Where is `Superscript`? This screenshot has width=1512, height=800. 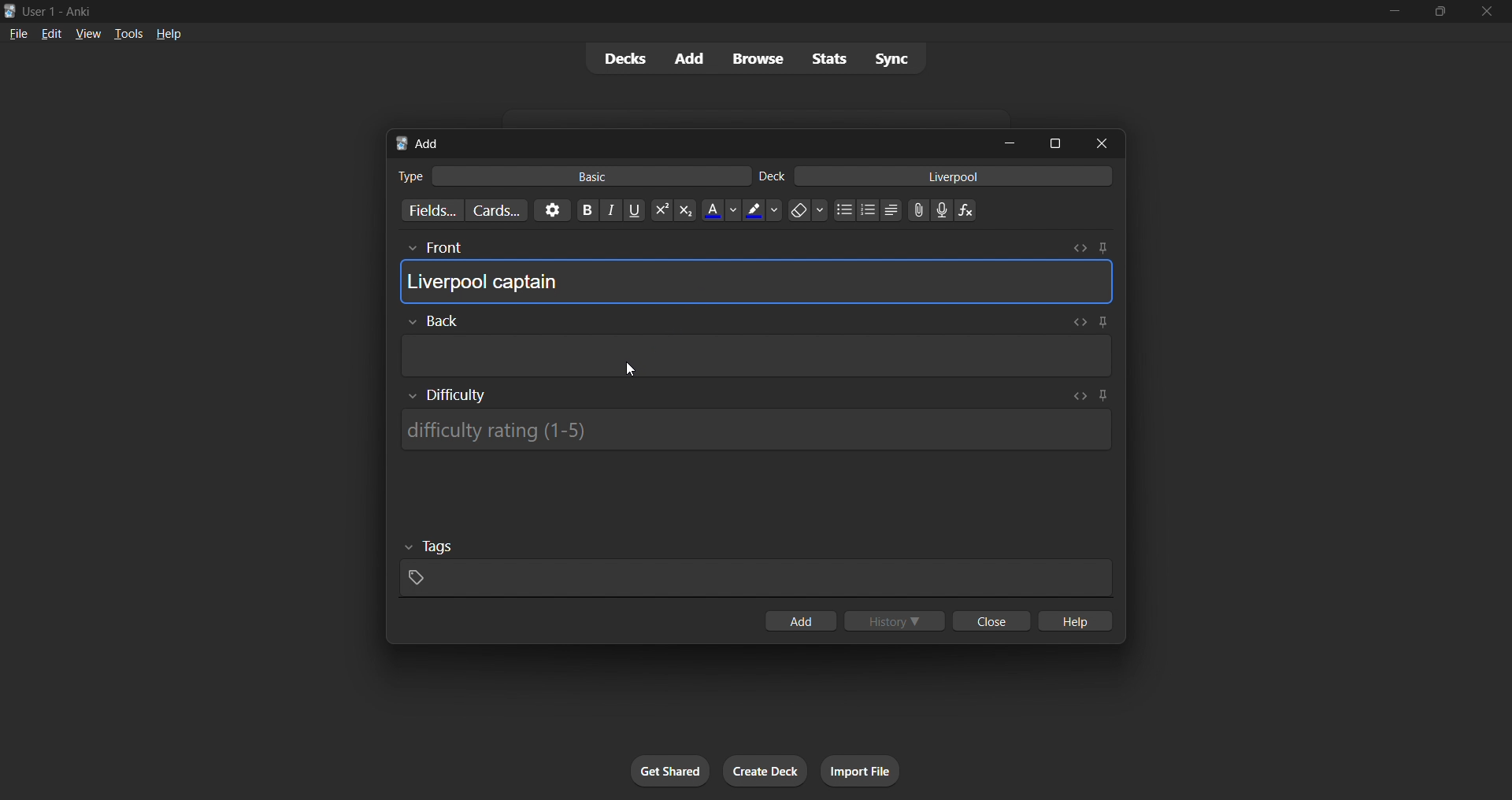
Superscript is located at coordinates (661, 210).